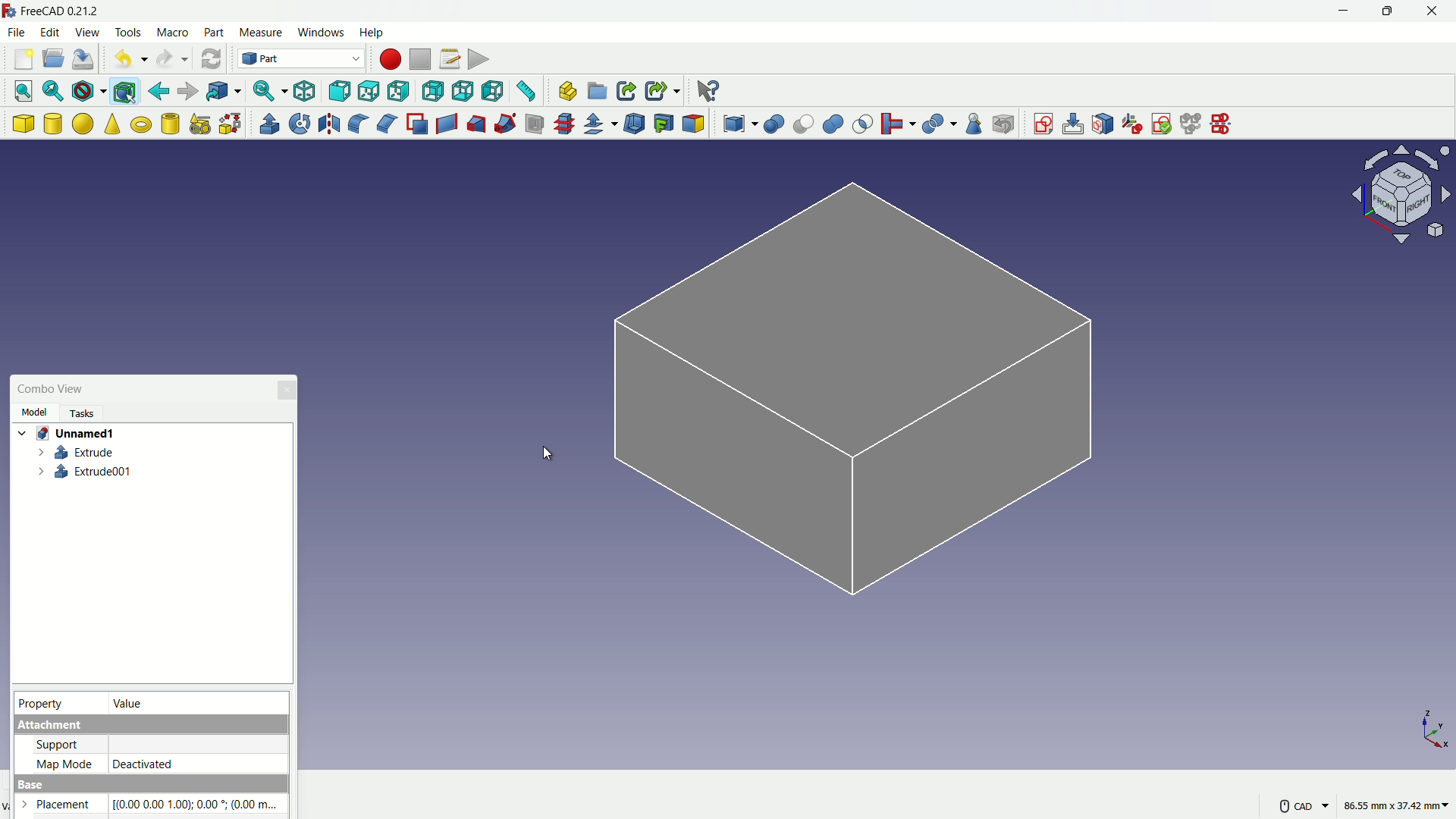 The height and width of the screenshot is (819, 1456). Describe the element at coordinates (52, 388) in the screenshot. I see `Combo View` at that location.